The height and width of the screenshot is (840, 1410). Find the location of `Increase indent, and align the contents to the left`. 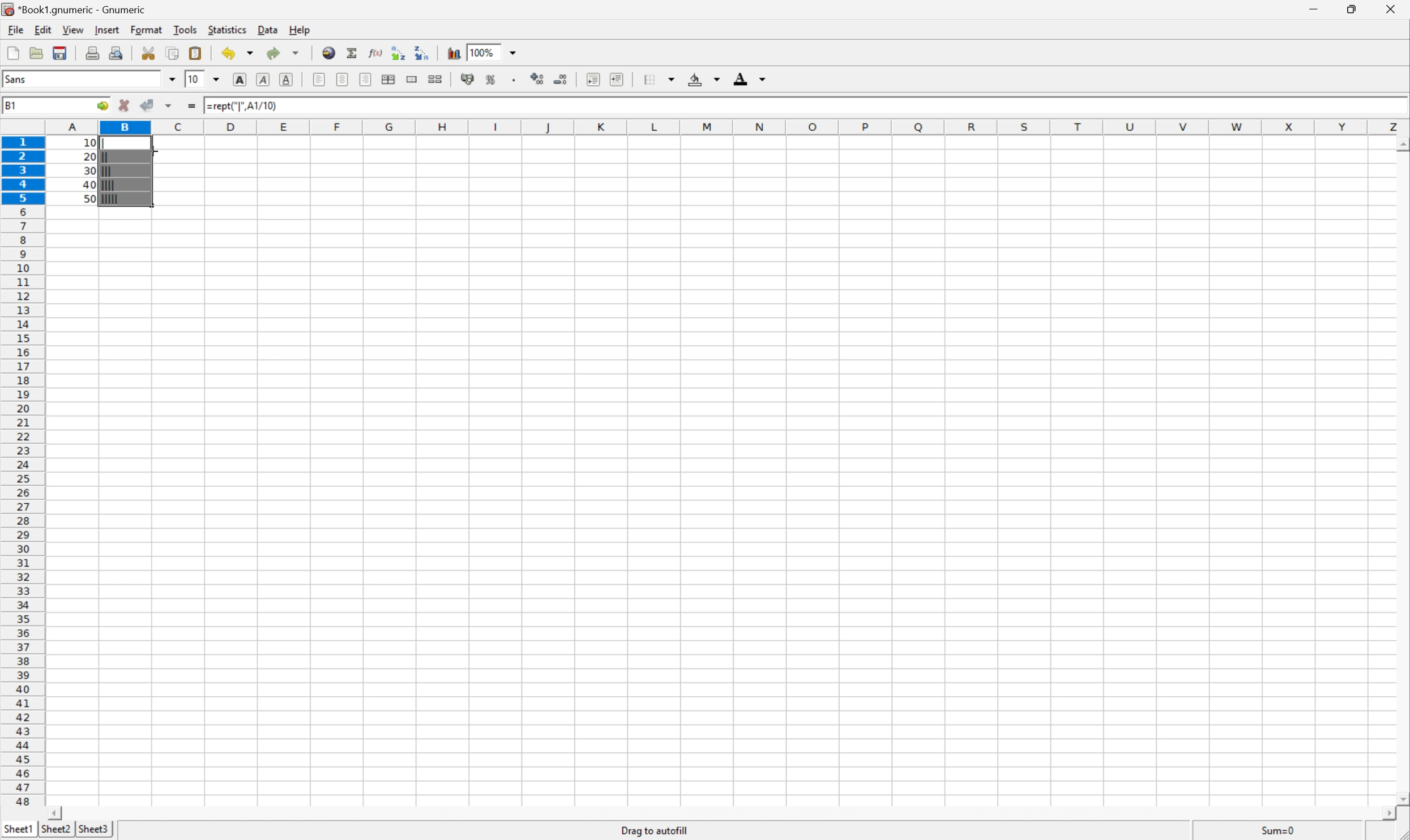

Increase indent, and align the contents to the left is located at coordinates (617, 79).